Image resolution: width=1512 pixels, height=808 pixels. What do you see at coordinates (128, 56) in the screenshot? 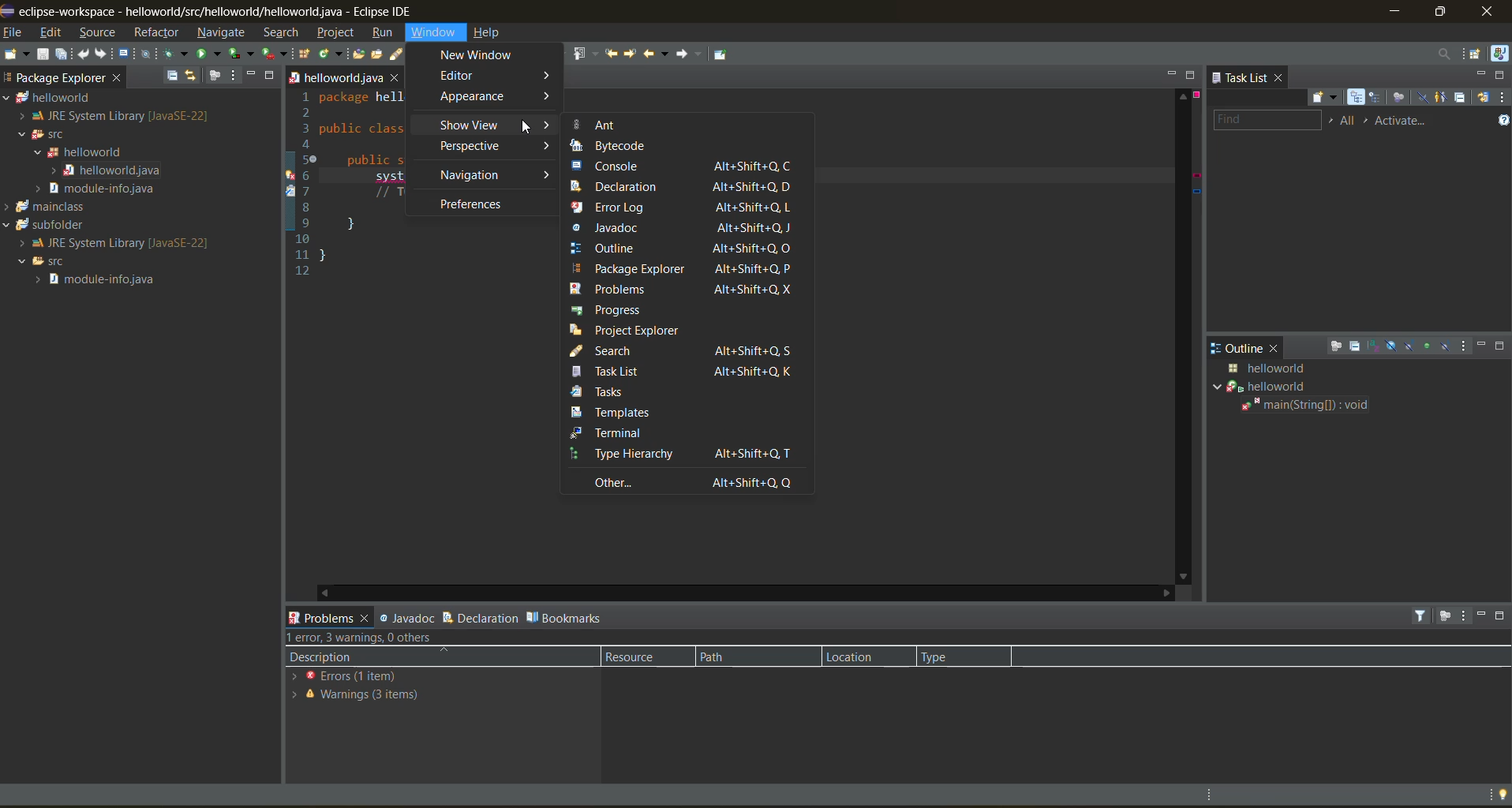
I see `open a terminal` at bounding box center [128, 56].